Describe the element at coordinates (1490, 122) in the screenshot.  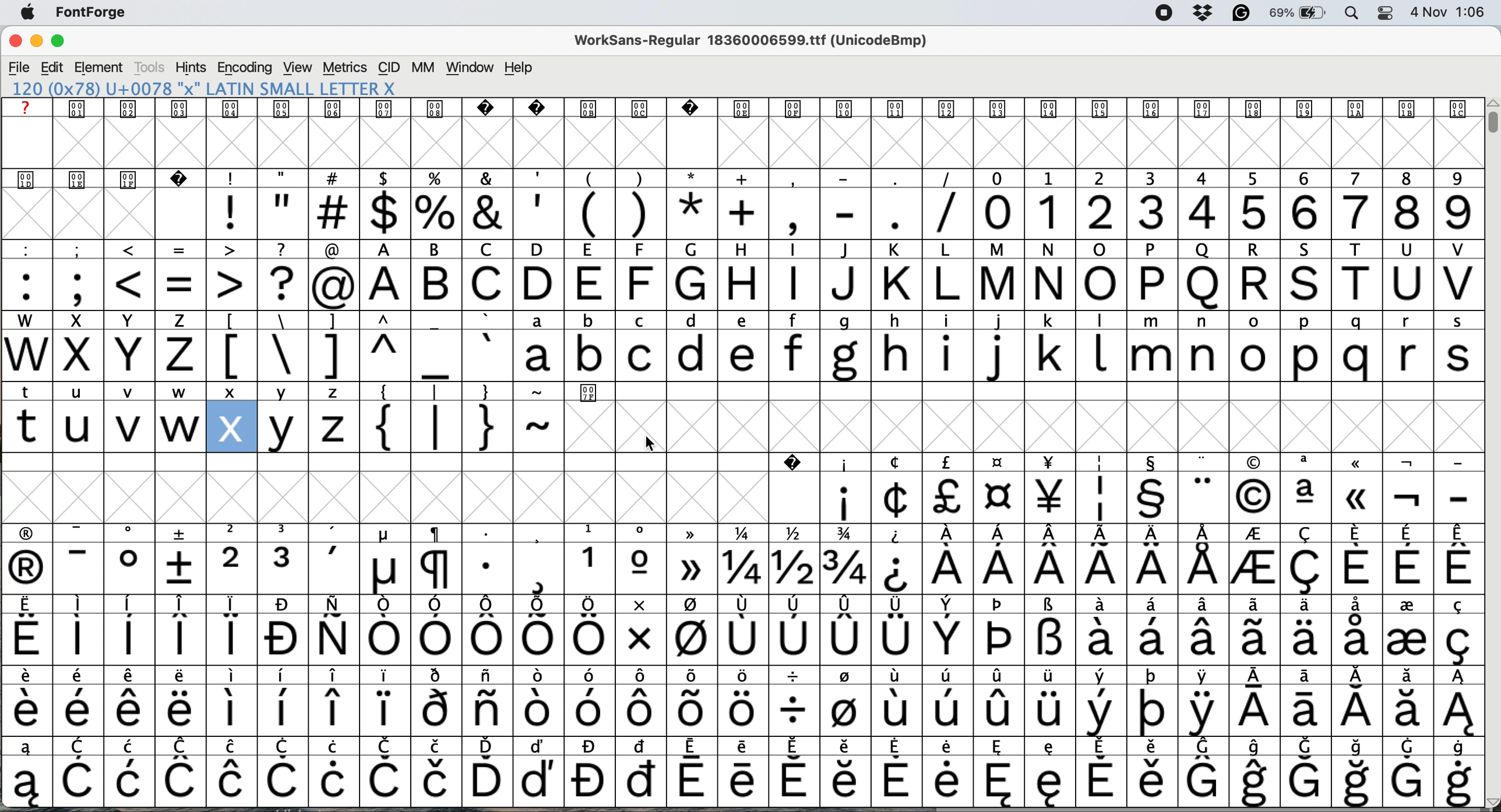
I see `vertical scroll bar` at that location.